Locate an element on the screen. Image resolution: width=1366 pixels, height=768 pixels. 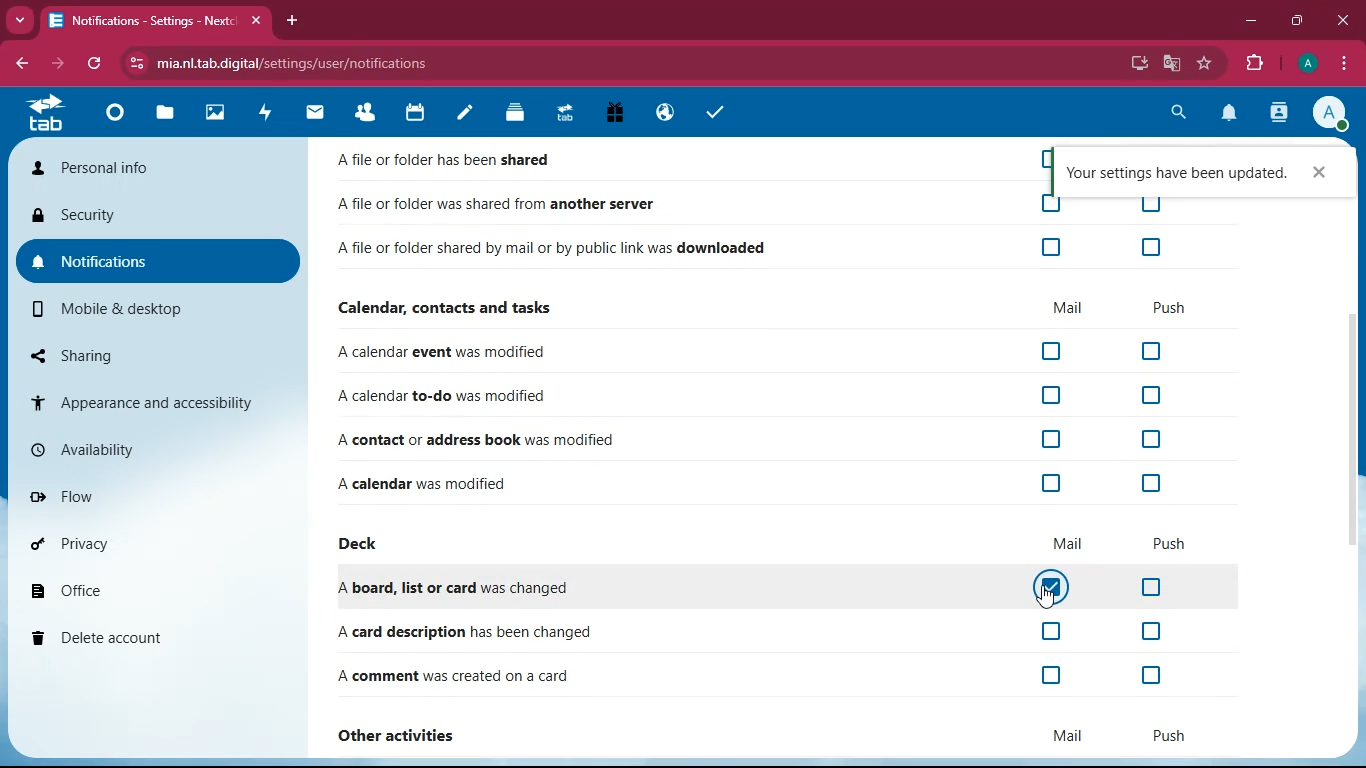
A file or folder shared by mail or by public link was downloaded is located at coordinates (552, 245).